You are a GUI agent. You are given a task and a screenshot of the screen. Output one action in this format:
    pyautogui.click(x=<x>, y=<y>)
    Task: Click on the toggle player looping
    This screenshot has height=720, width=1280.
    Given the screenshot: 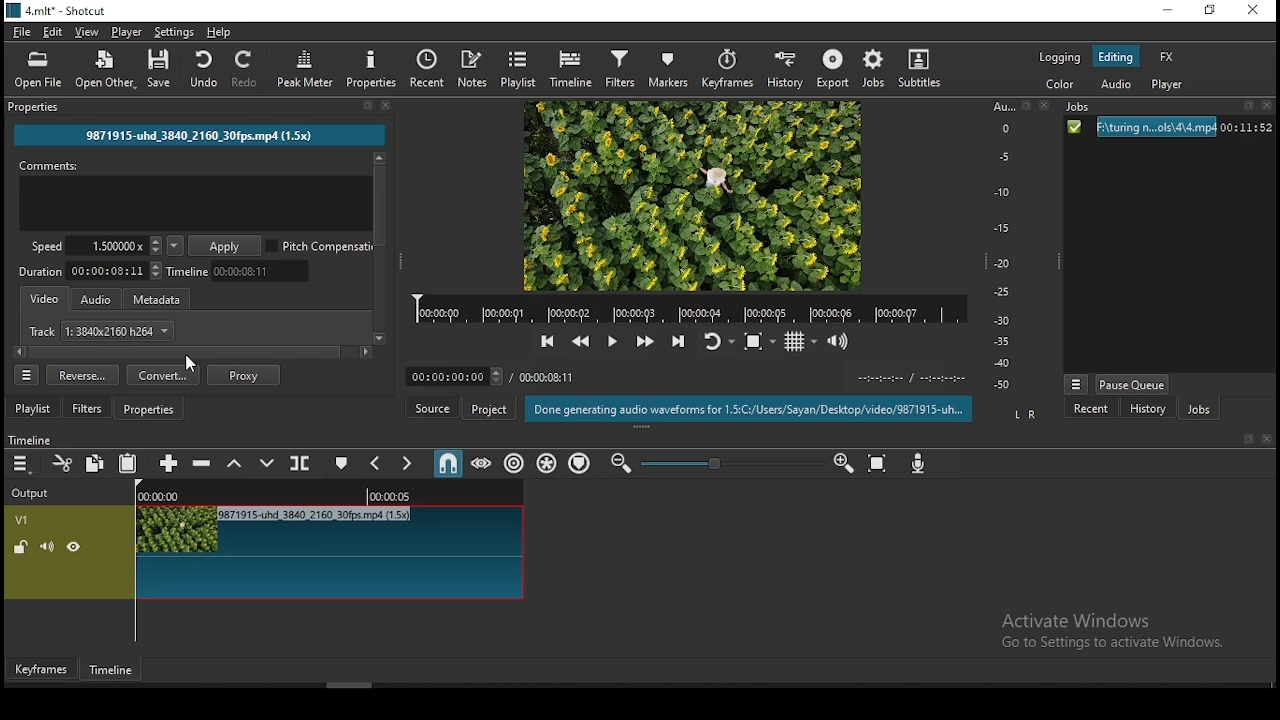 What is the action you would take?
    pyautogui.click(x=717, y=346)
    